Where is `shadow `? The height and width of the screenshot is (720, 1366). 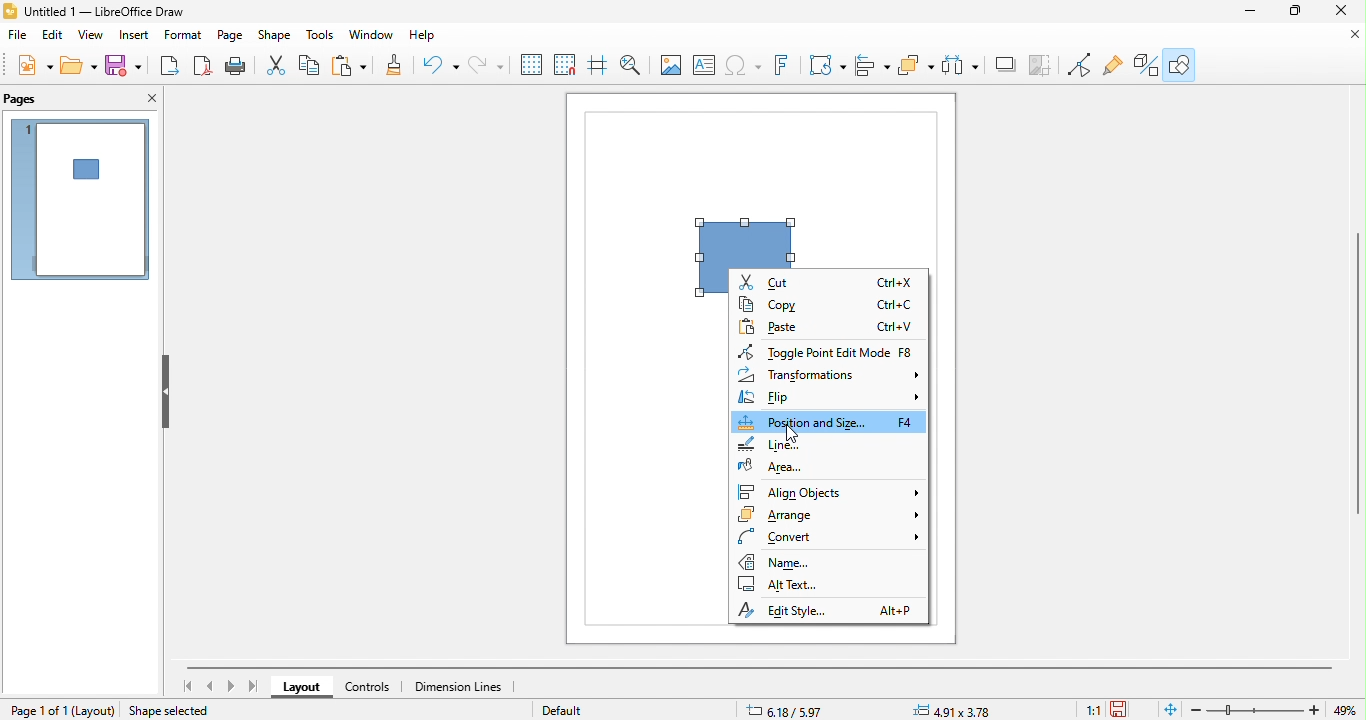 shadow  is located at coordinates (960, 66).